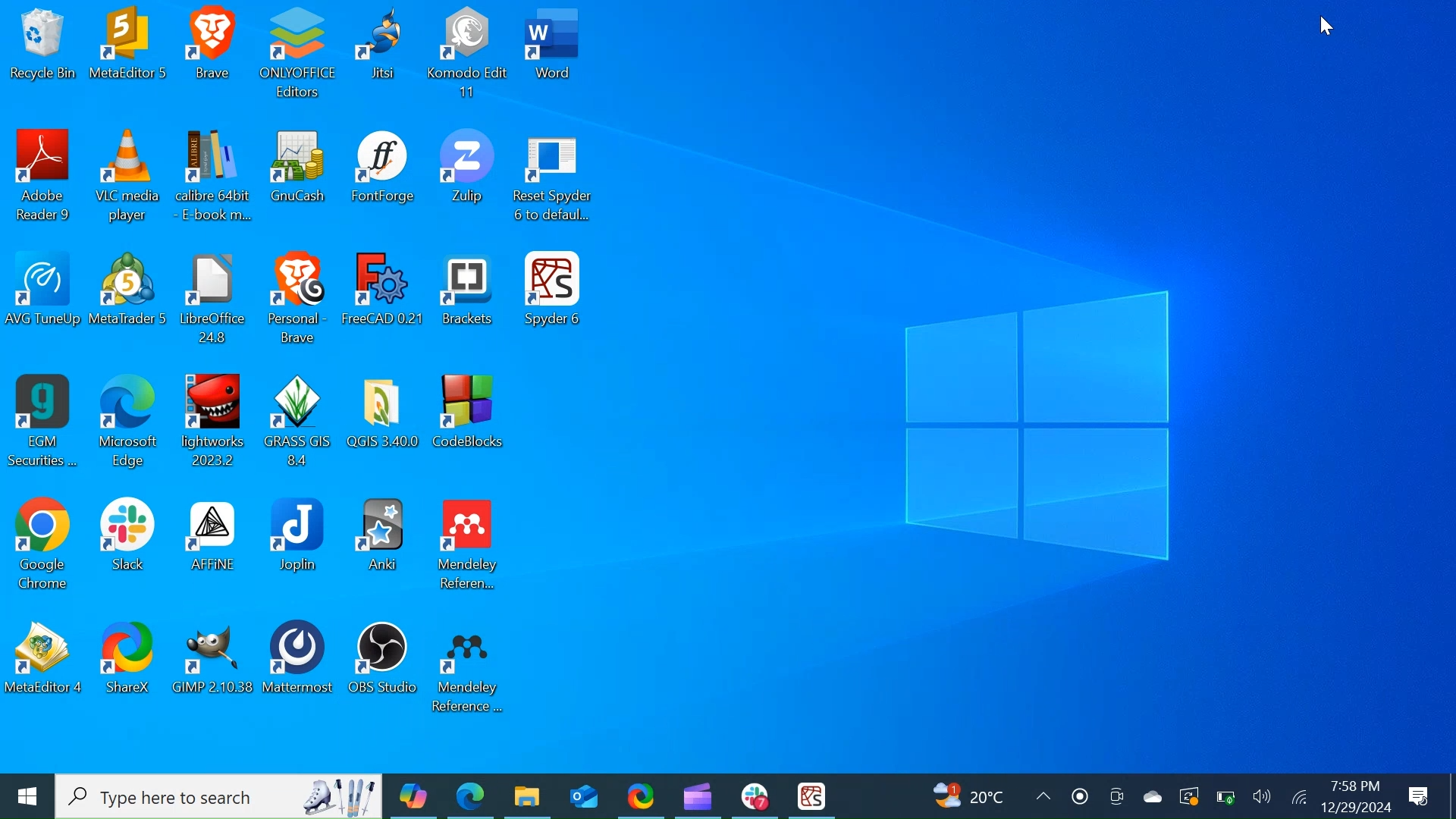  What do you see at coordinates (559, 52) in the screenshot?
I see `Word Desktop icon` at bounding box center [559, 52].